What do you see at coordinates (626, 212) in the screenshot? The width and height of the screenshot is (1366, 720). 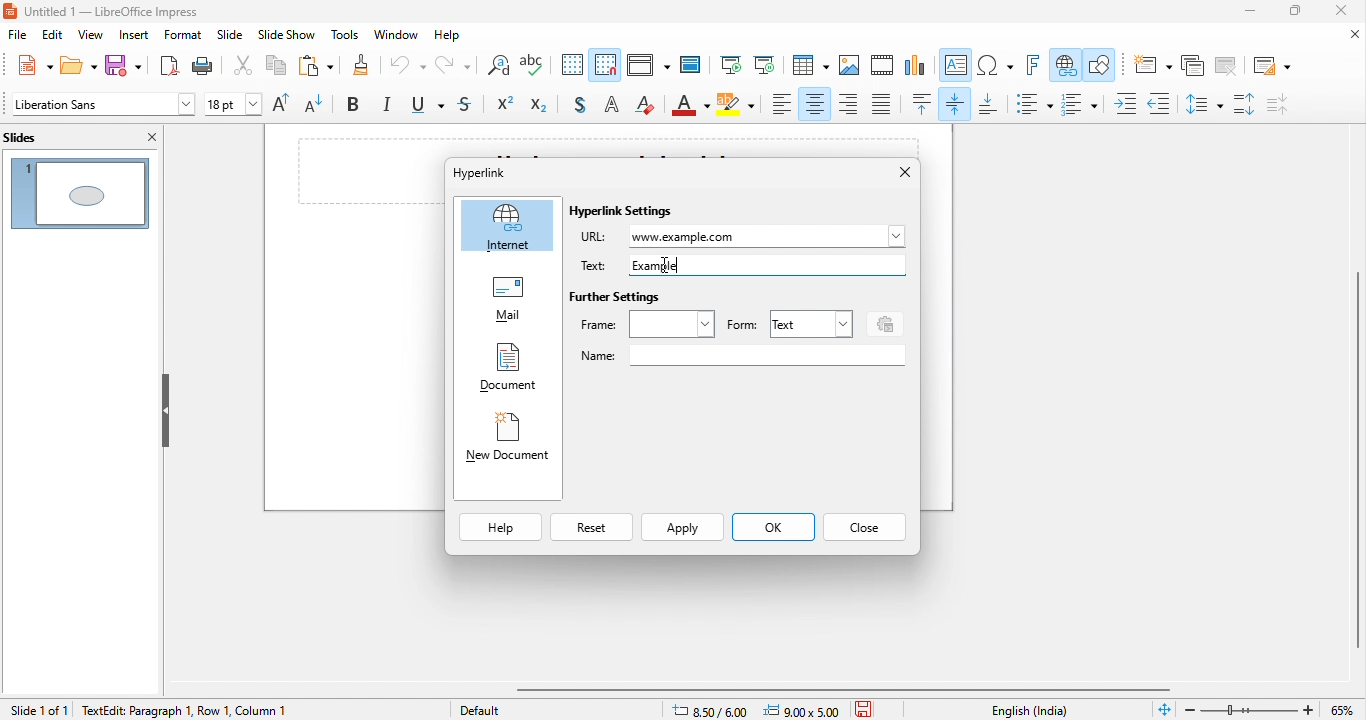 I see `hyperlink settings` at bounding box center [626, 212].